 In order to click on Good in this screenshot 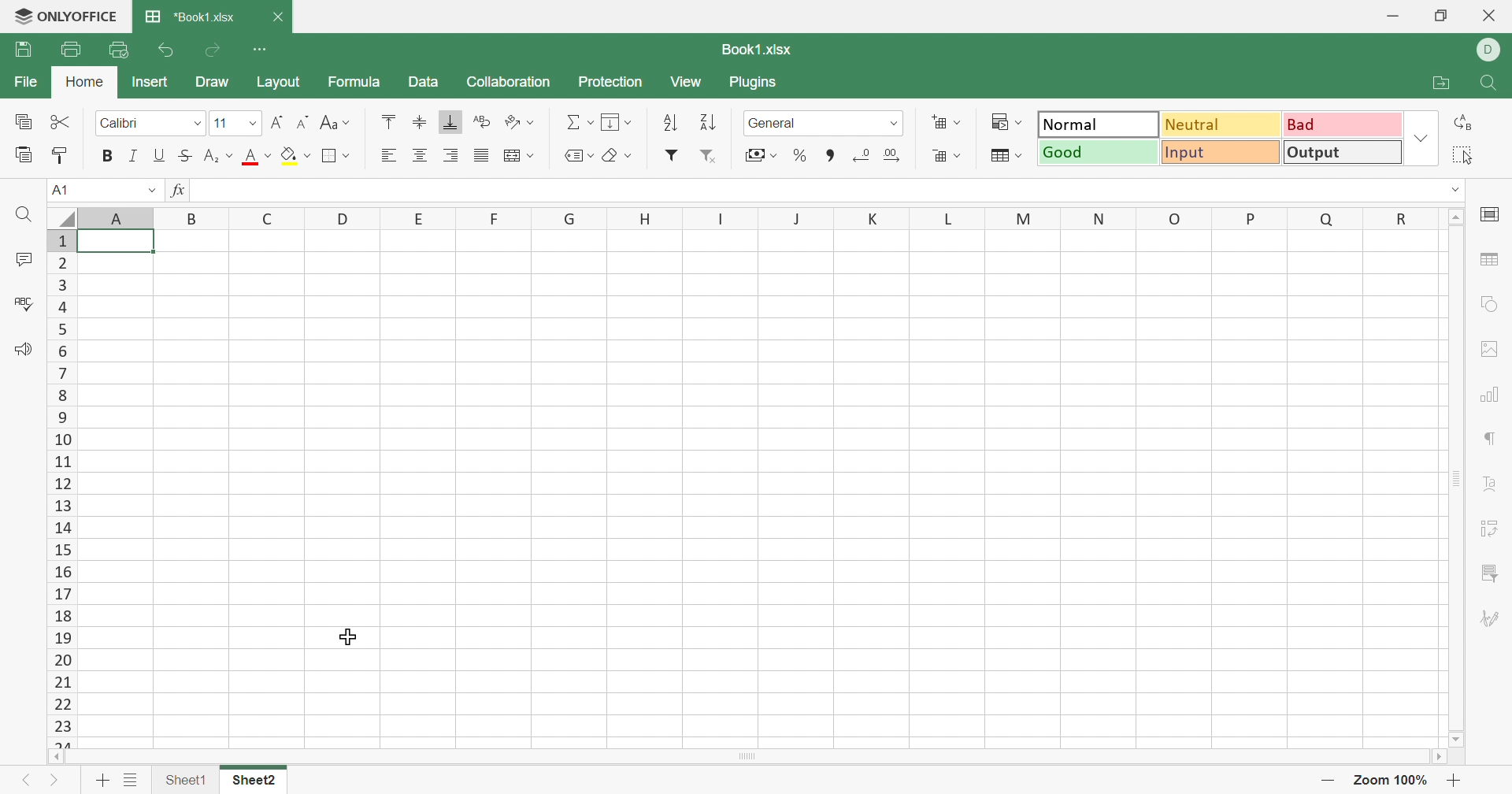, I will do `click(1097, 152)`.